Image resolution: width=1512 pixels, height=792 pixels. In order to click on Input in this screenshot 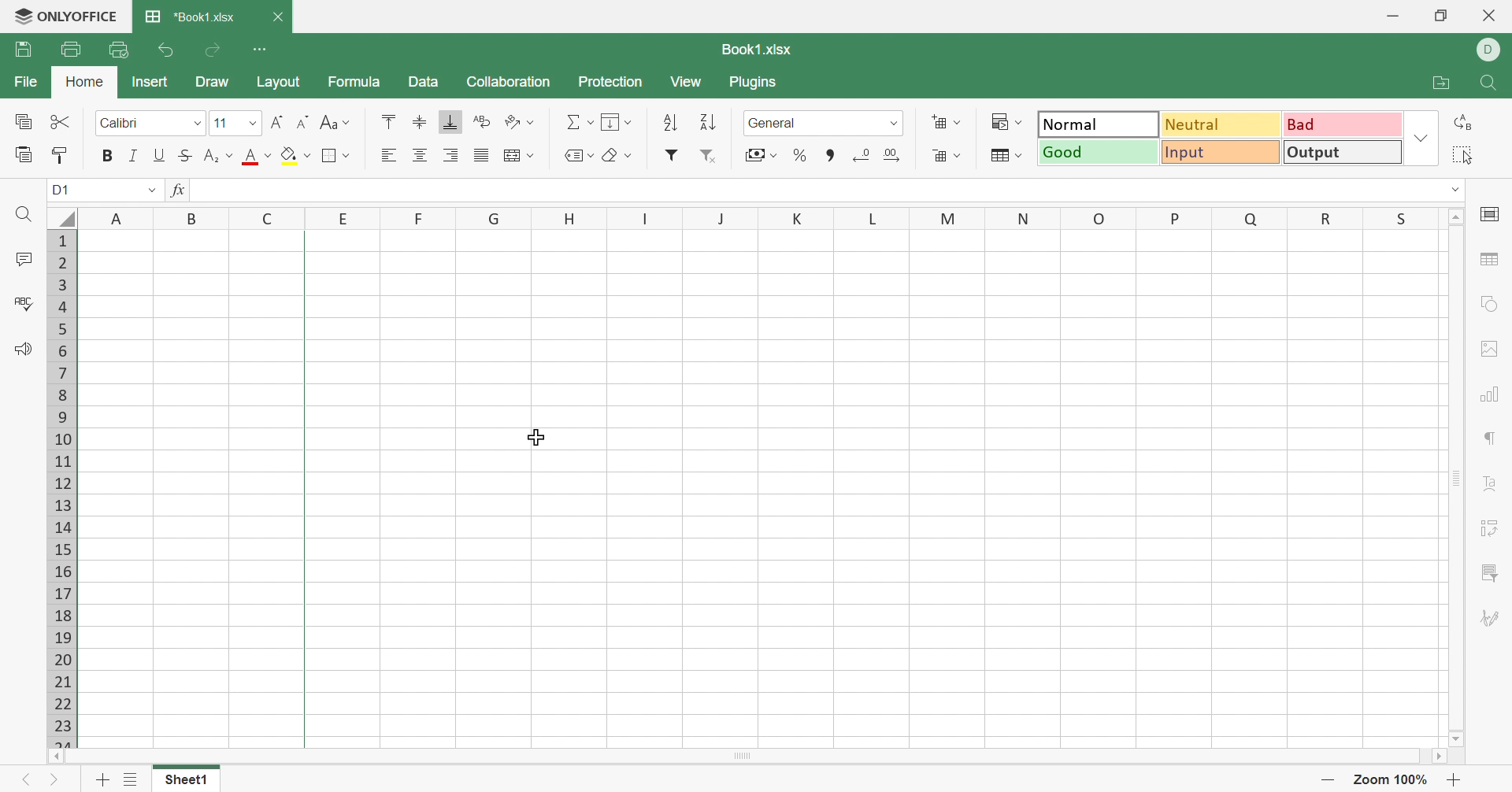, I will do `click(1221, 152)`.